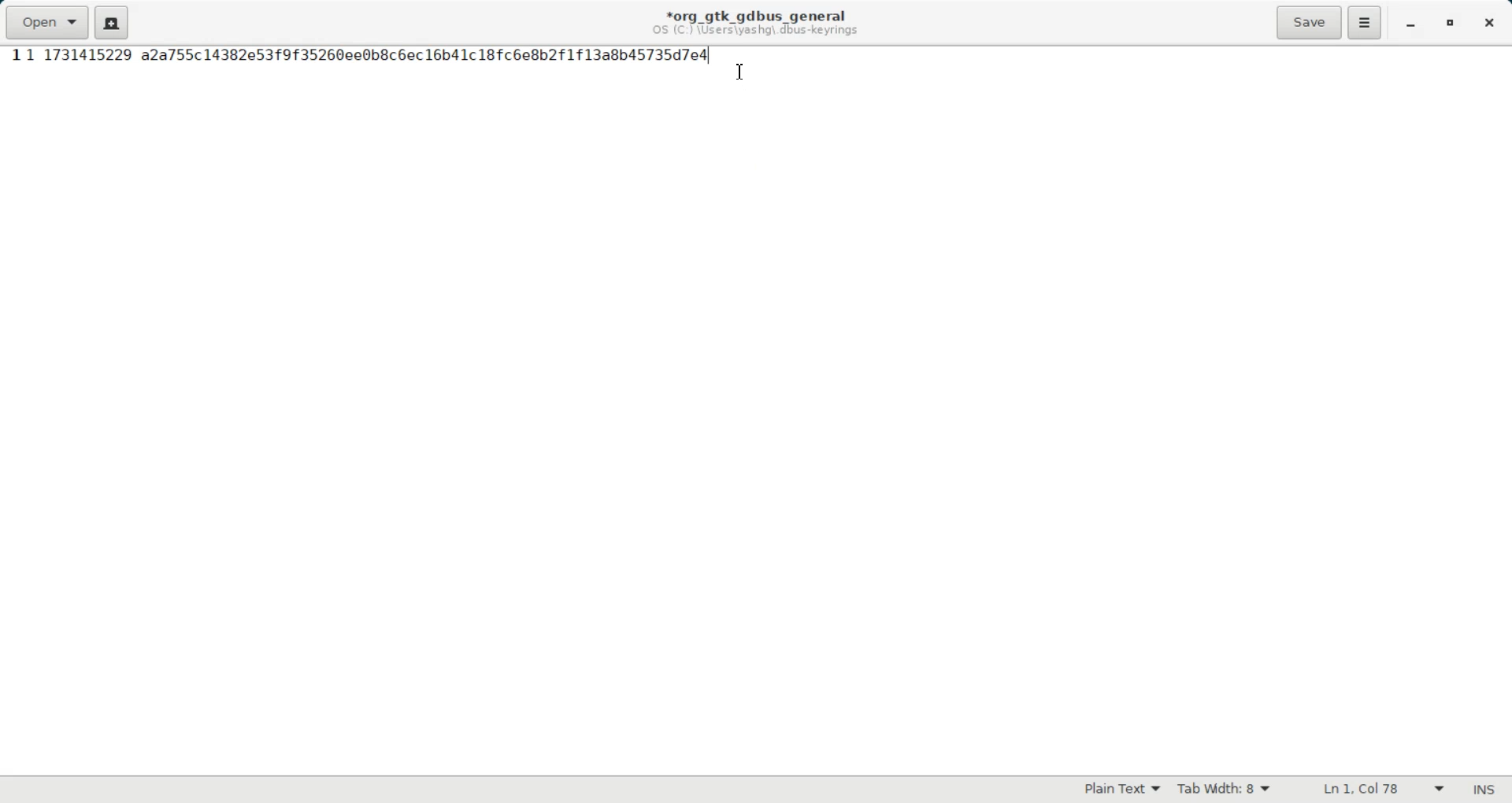  Describe the element at coordinates (742, 72) in the screenshot. I see `Cursor` at that location.